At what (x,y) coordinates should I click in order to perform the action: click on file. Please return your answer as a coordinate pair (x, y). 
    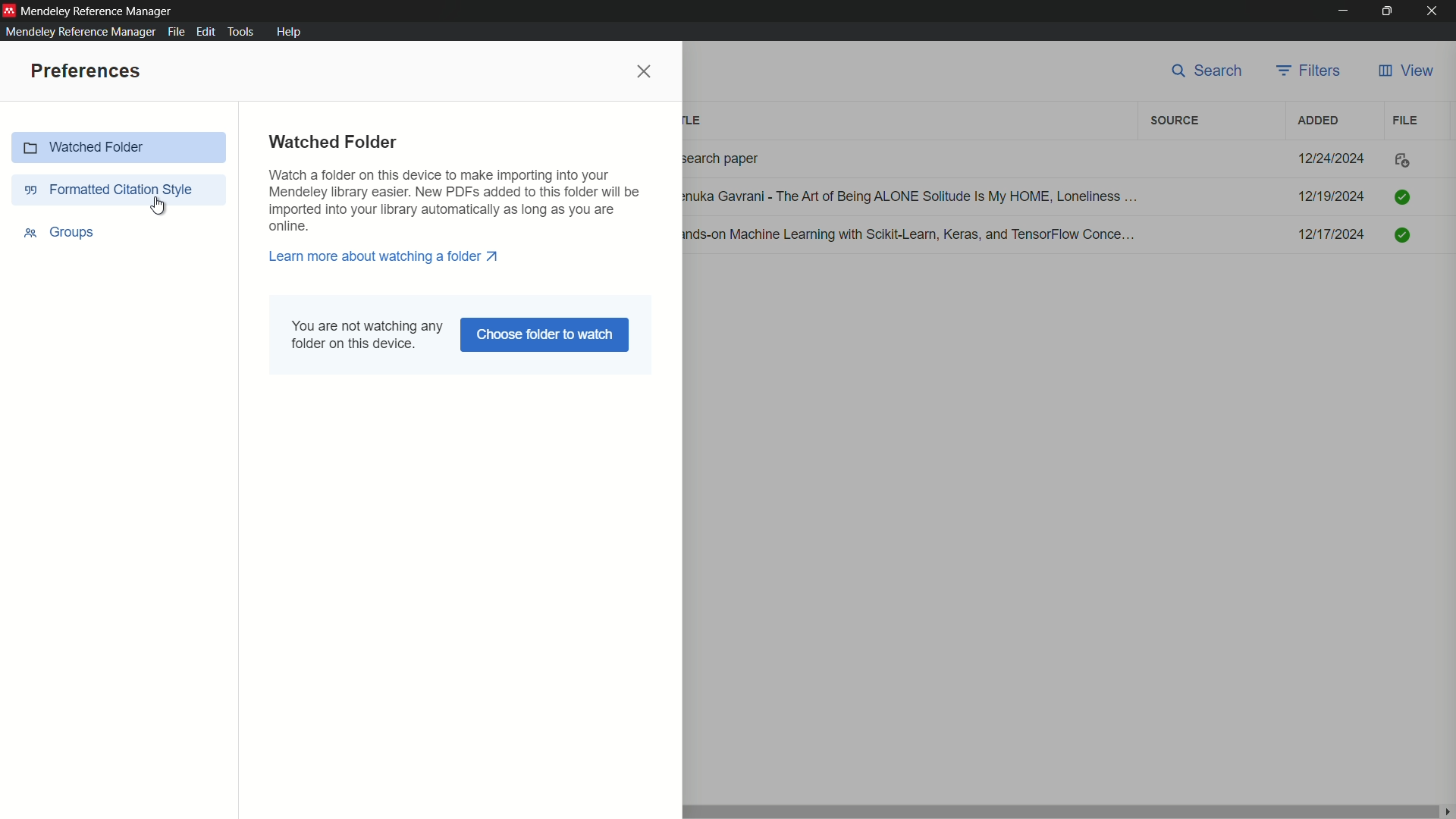
    Looking at the image, I should click on (1406, 120).